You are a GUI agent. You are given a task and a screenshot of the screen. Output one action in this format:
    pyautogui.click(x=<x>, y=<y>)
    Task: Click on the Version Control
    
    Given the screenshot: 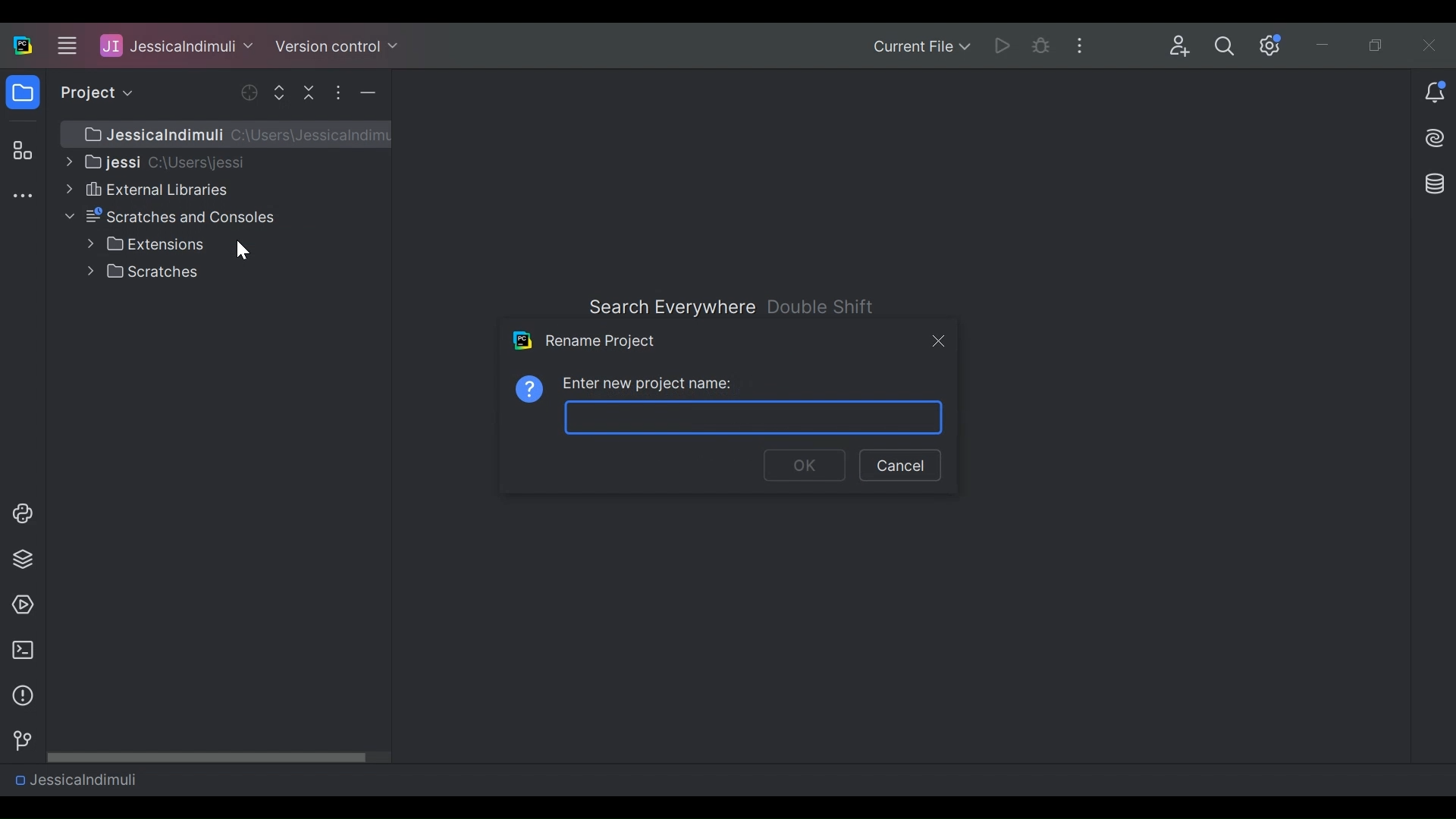 What is the action you would take?
    pyautogui.click(x=337, y=45)
    